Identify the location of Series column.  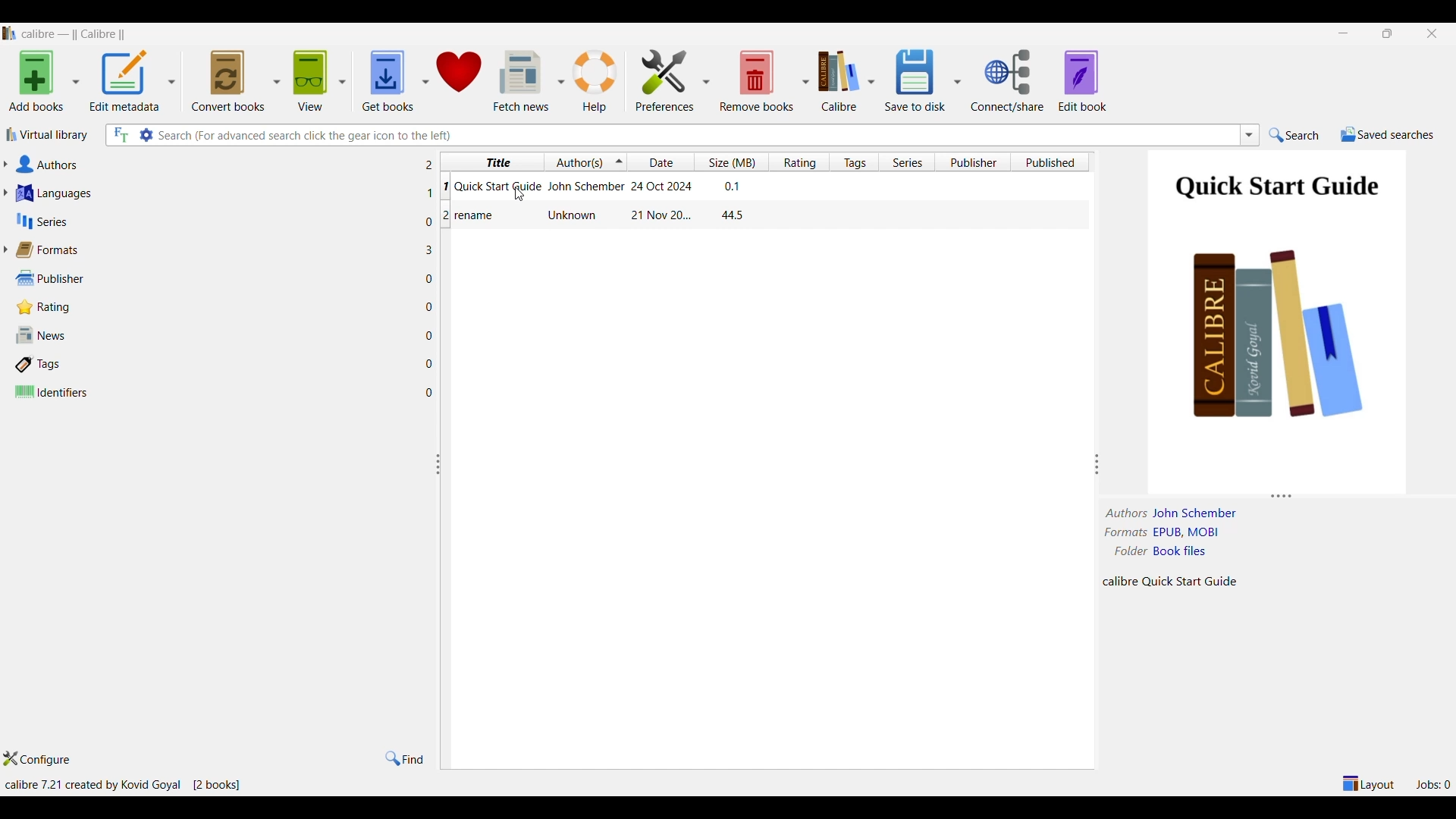
(907, 162).